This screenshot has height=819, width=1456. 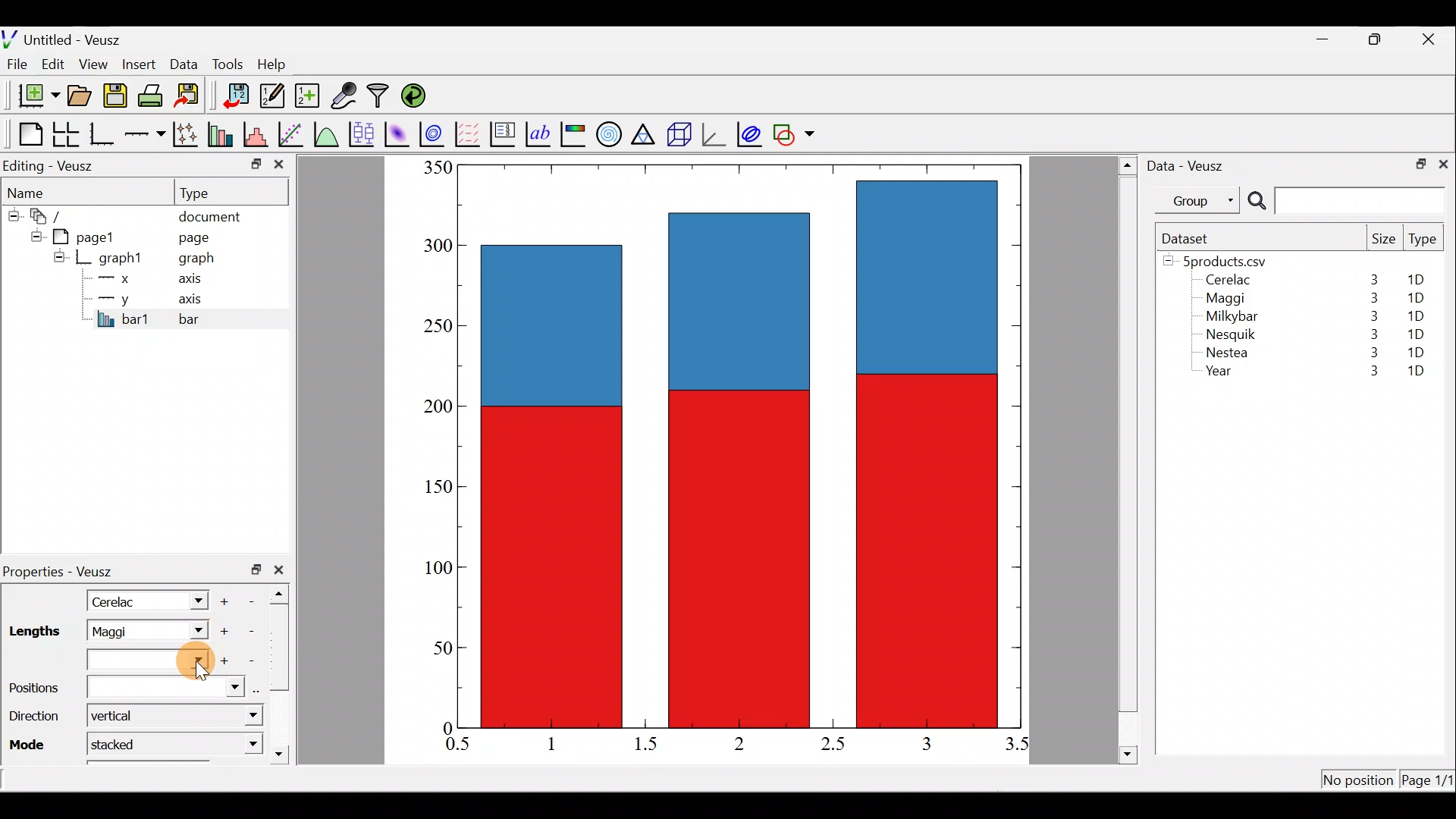 I want to click on Plot box plots, so click(x=363, y=133).